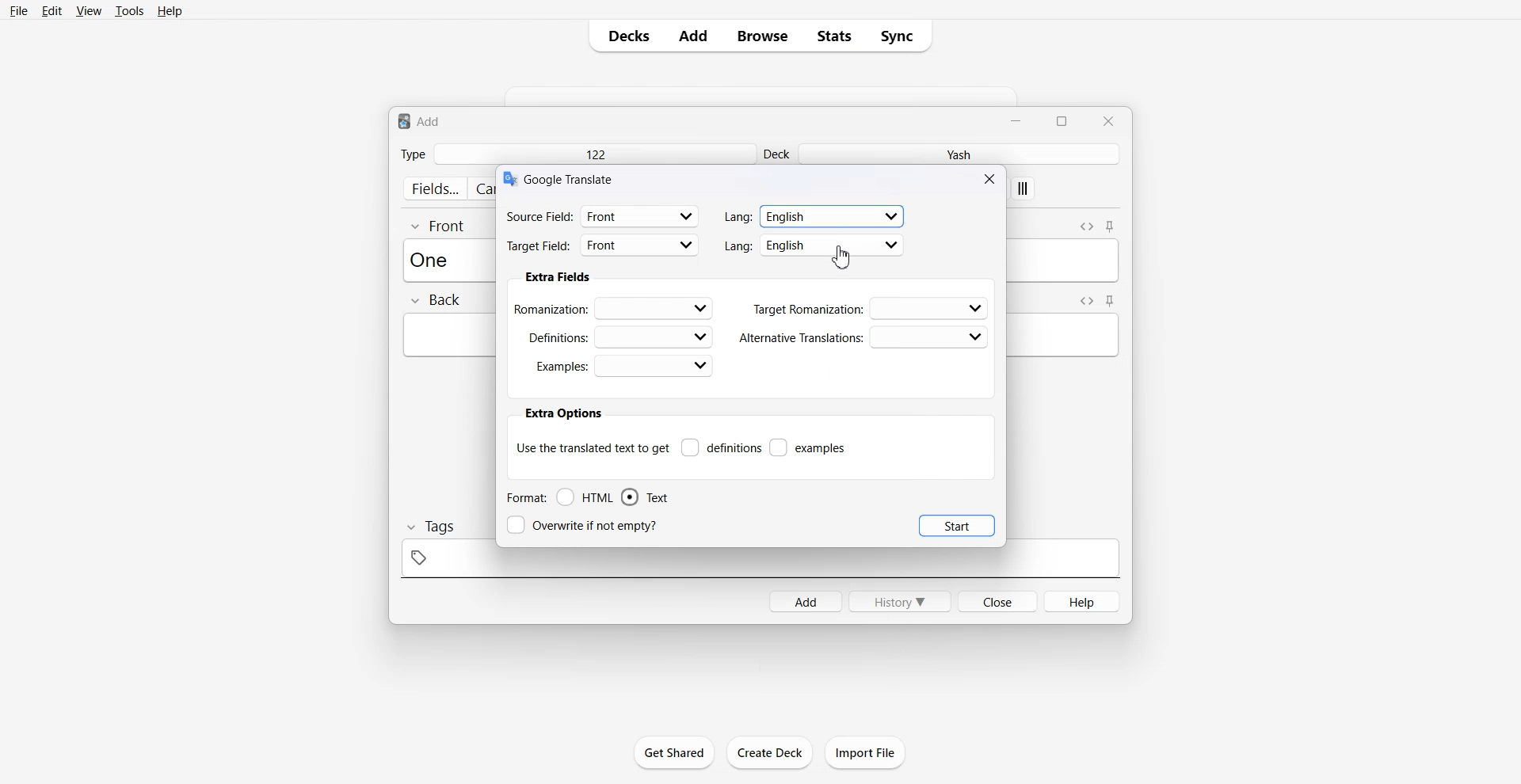 The image size is (1521, 784). Describe the element at coordinates (594, 154) in the screenshot. I see `122` at that location.